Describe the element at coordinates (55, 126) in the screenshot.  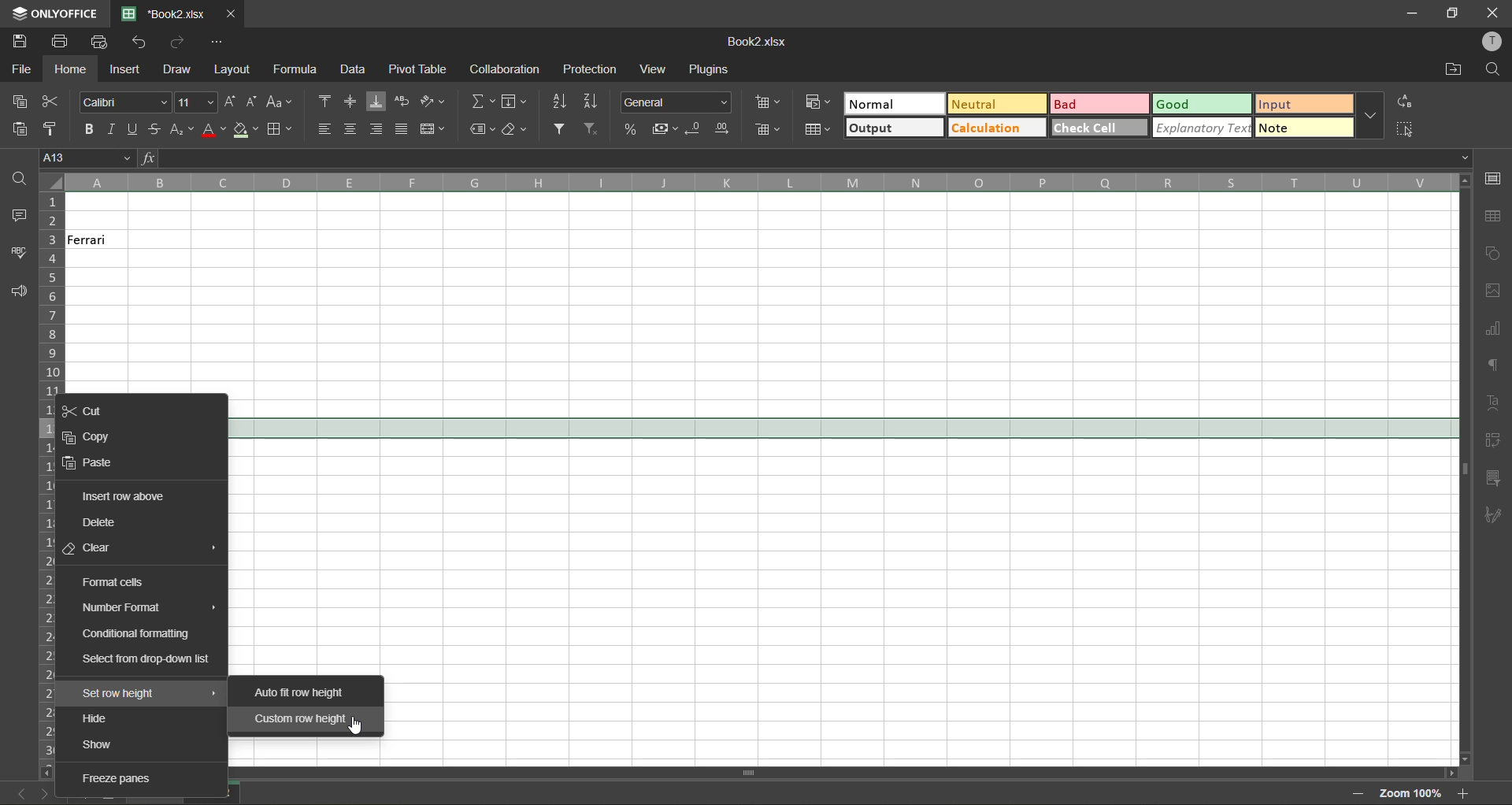
I see `copy style` at that location.